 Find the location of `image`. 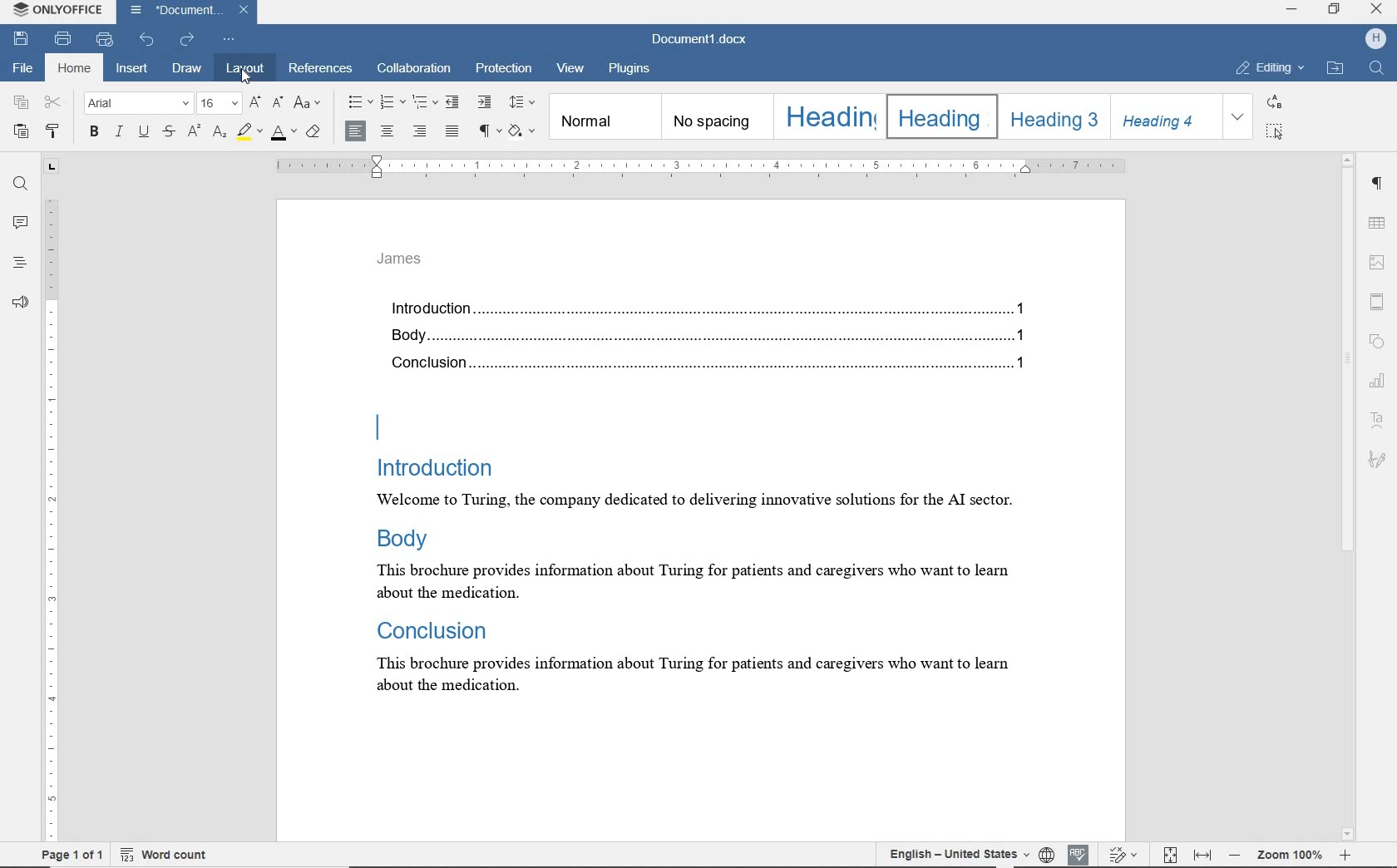

image is located at coordinates (1379, 260).